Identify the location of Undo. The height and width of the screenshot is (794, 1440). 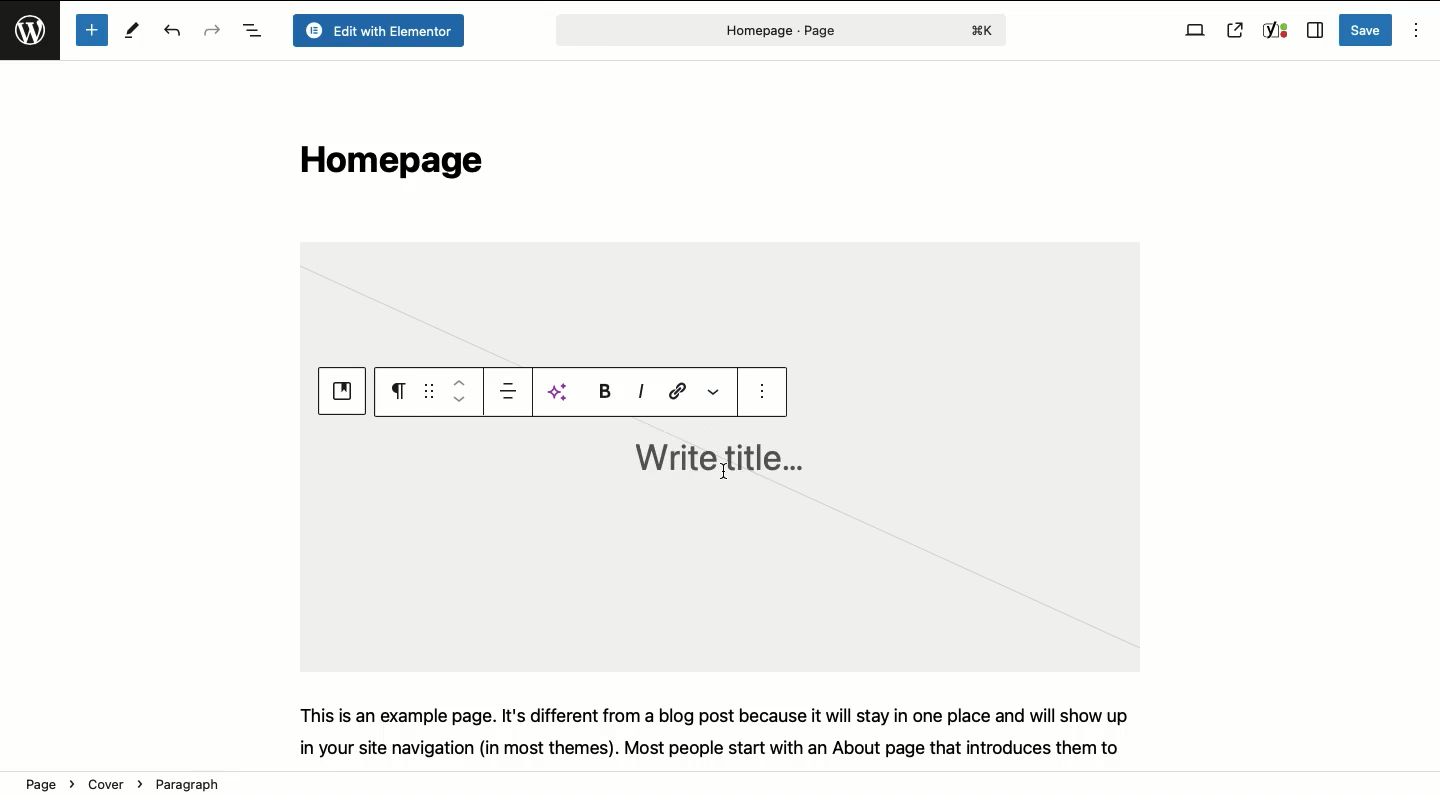
(175, 32).